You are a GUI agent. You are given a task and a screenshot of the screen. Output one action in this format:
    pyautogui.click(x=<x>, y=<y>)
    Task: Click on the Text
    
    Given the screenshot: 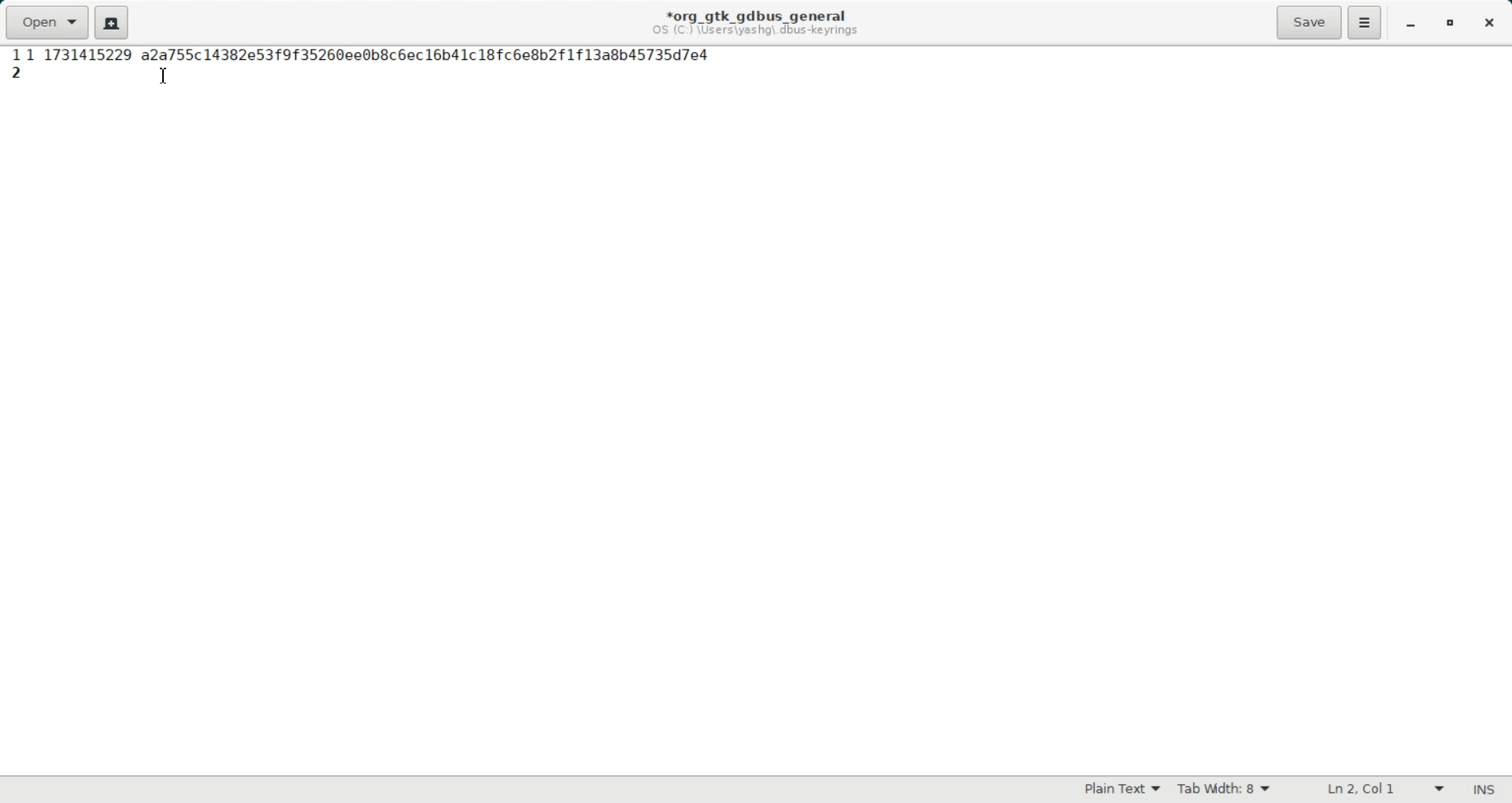 What is the action you would take?
    pyautogui.click(x=1483, y=790)
    